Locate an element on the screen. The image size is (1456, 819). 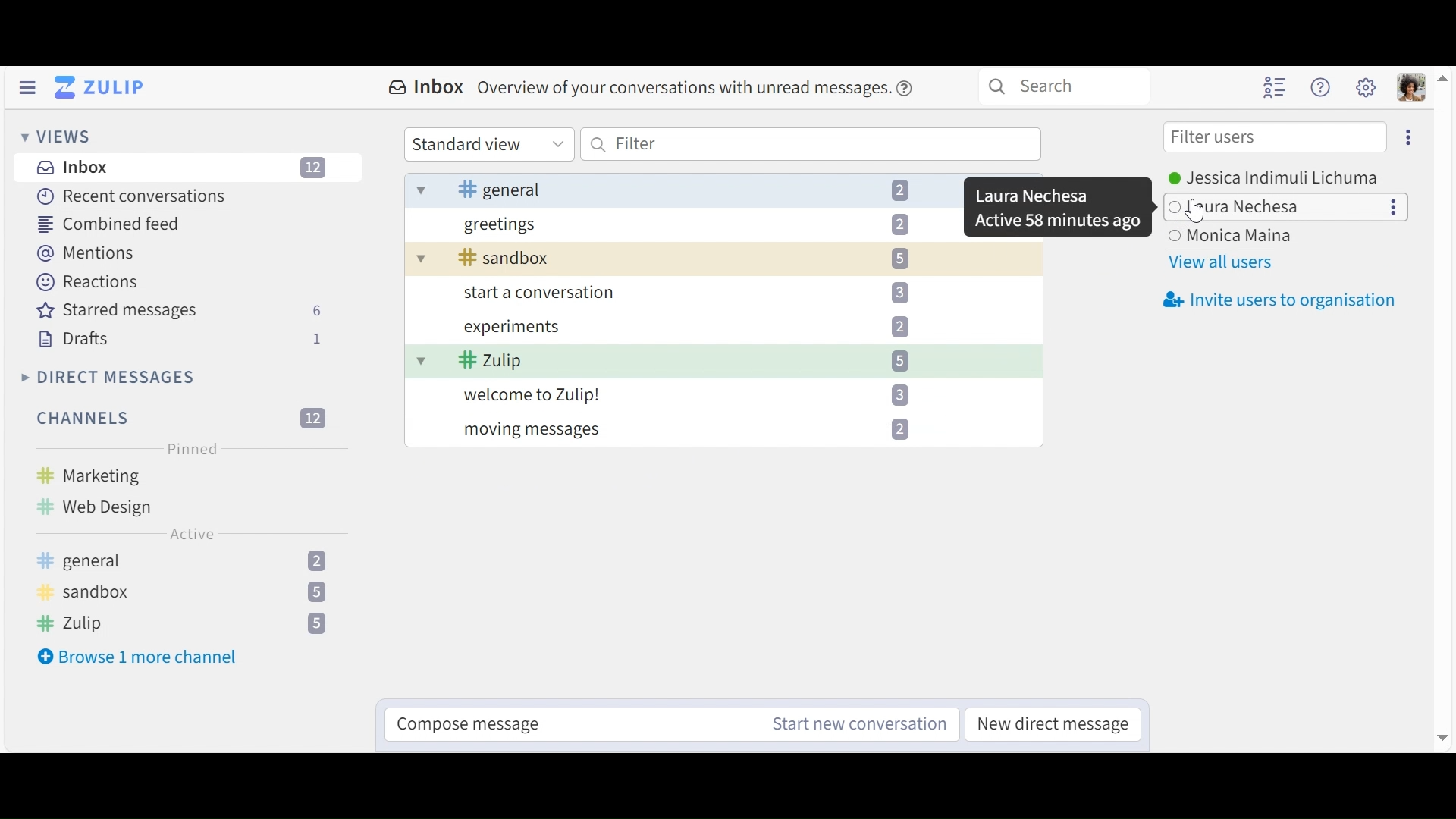
Recent Conversation is located at coordinates (134, 198).